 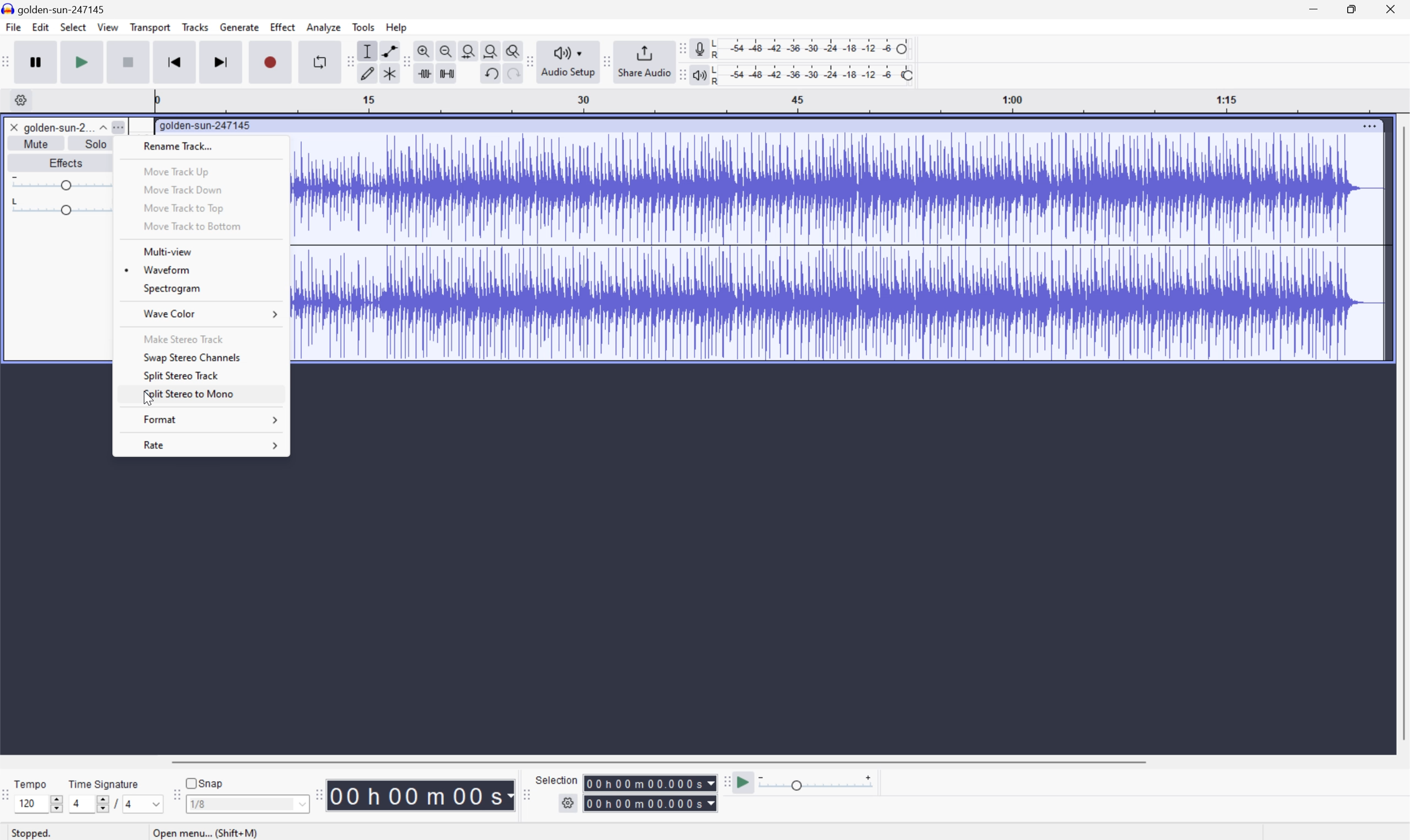 What do you see at coordinates (128, 62) in the screenshot?
I see `Stop` at bounding box center [128, 62].